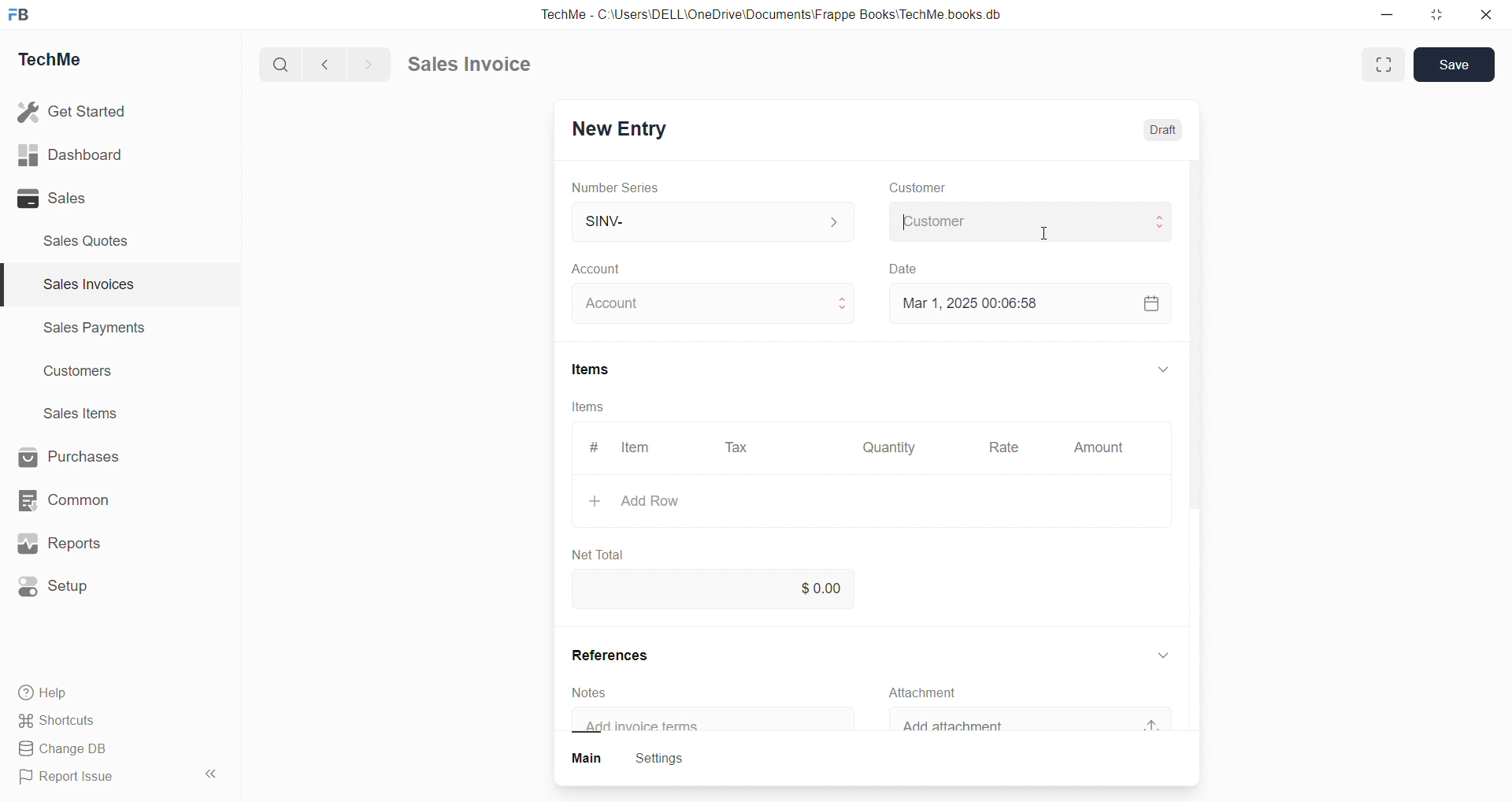 Image resolution: width=1512 pixels, height=802 pixels. What do you see at coordinates (476, 66) in the screenshot?
I see `Sales Invoice` at bounding box center [476, 66].